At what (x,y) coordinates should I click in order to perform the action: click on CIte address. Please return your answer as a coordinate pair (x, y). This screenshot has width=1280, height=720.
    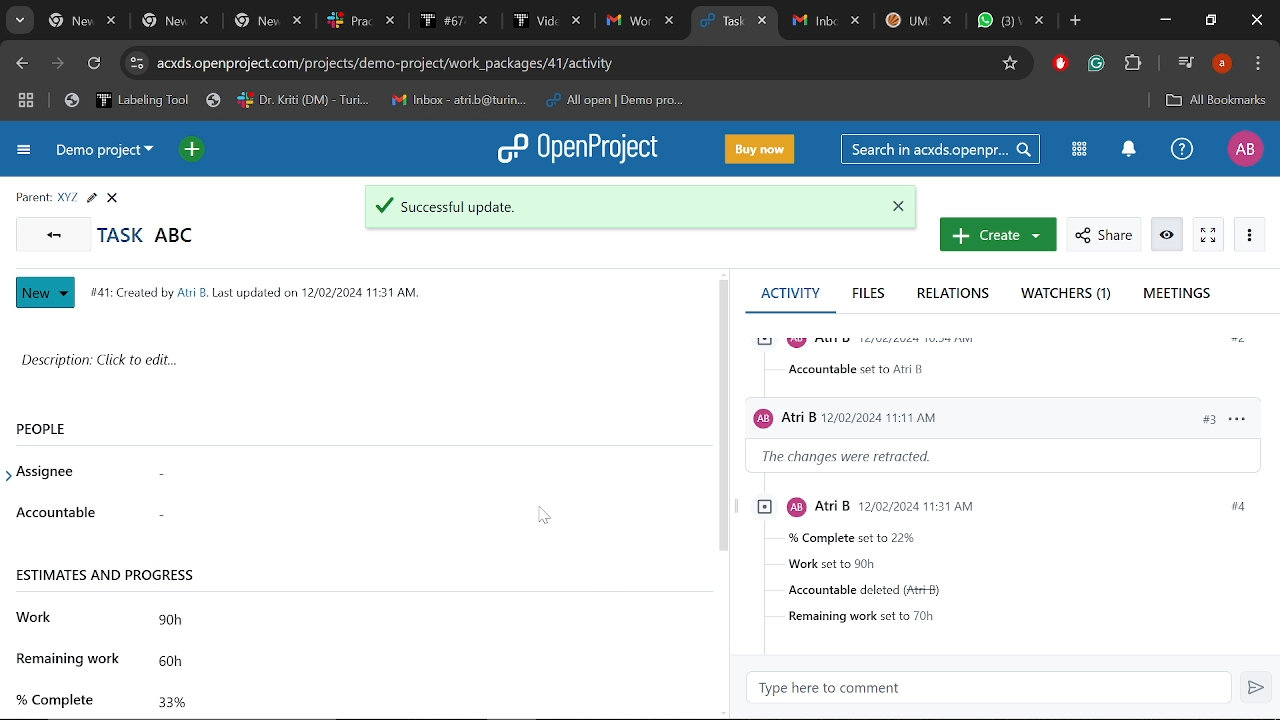
    Looking at the image, I should click on (571, 62).